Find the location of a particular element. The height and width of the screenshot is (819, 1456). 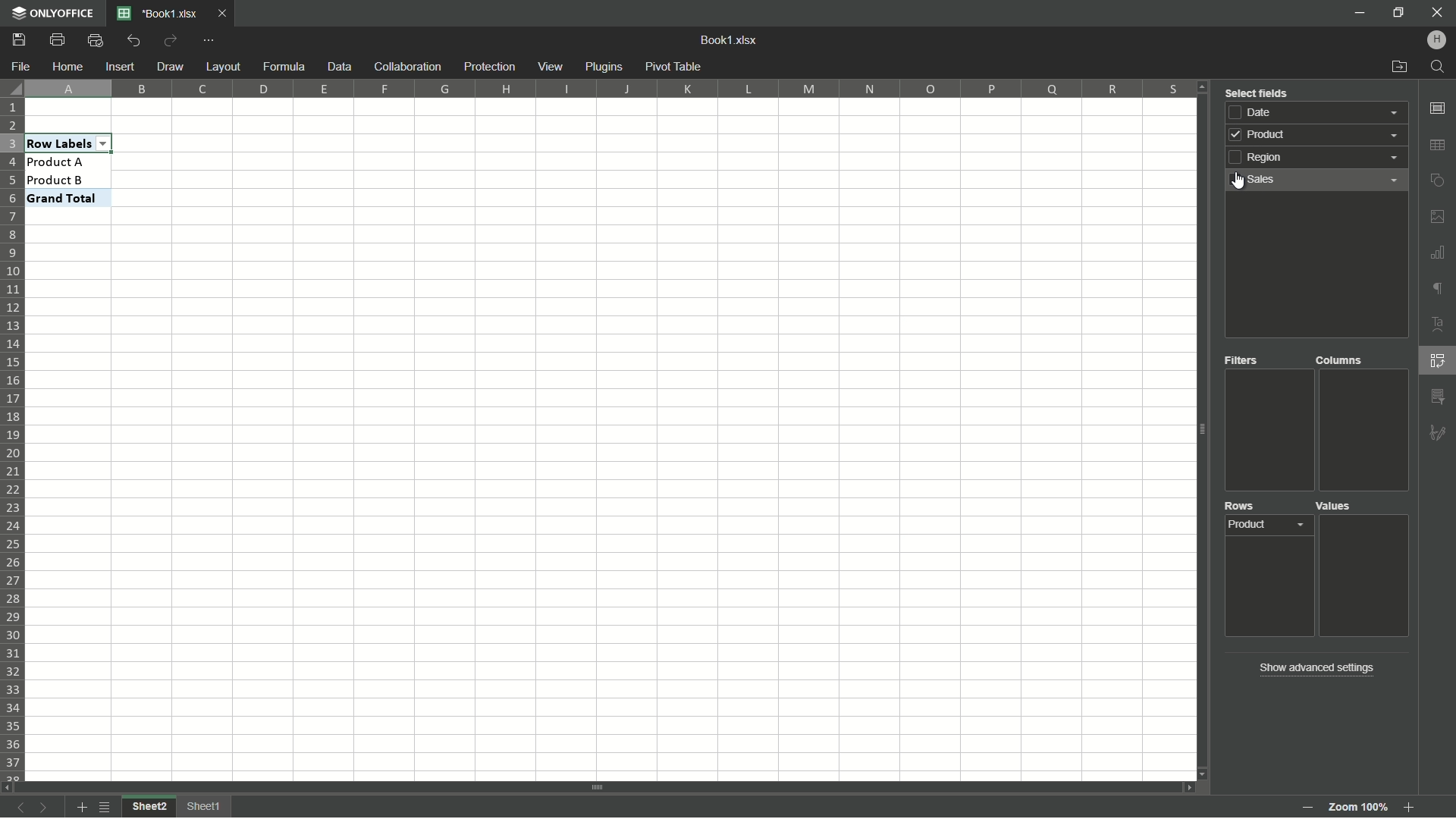

rows is located at coordinates (1241, 508).